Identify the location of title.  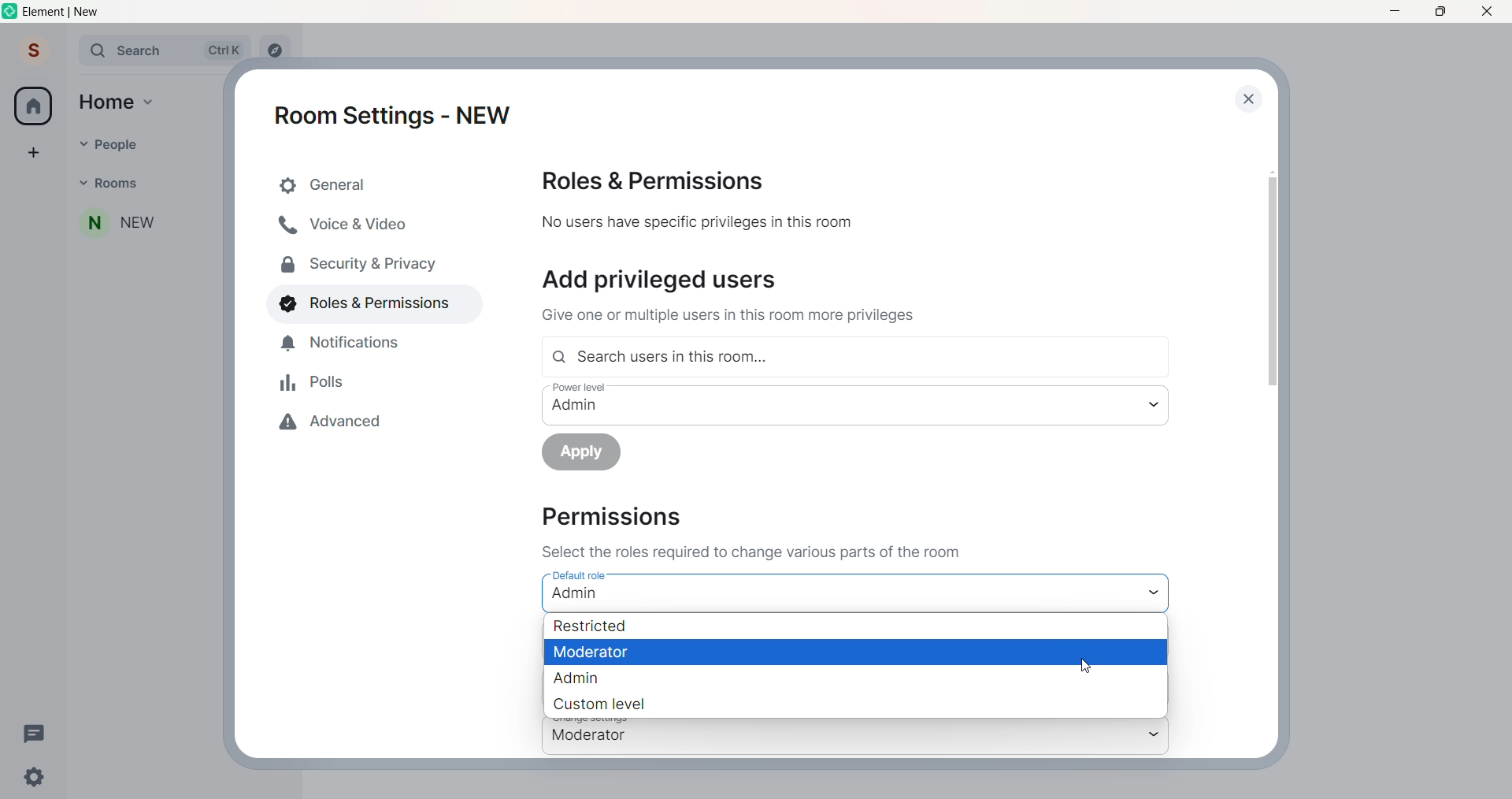
(66, 11).